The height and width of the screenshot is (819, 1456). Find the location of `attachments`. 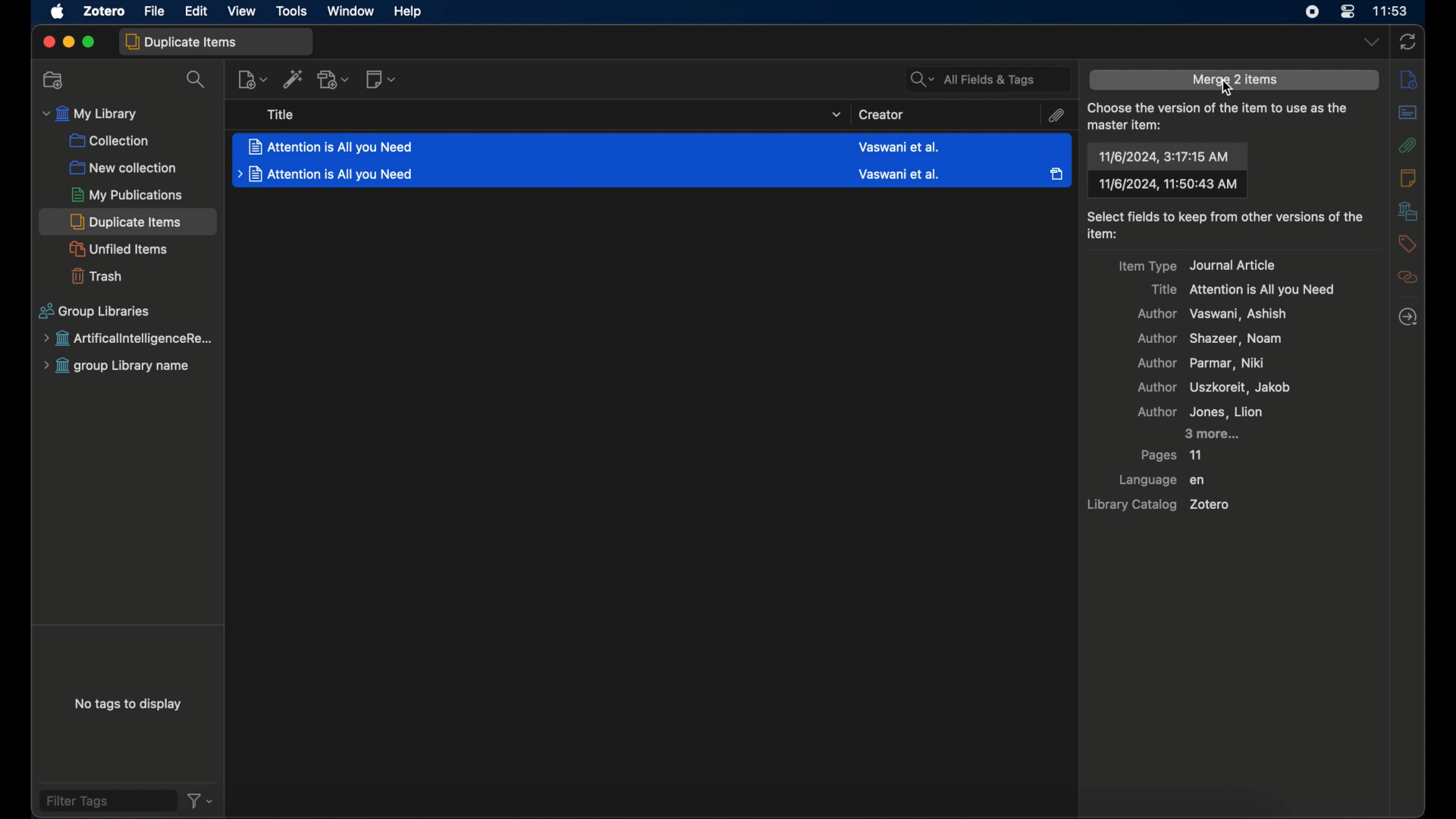

attachments is located at coordinates (1408, 146).